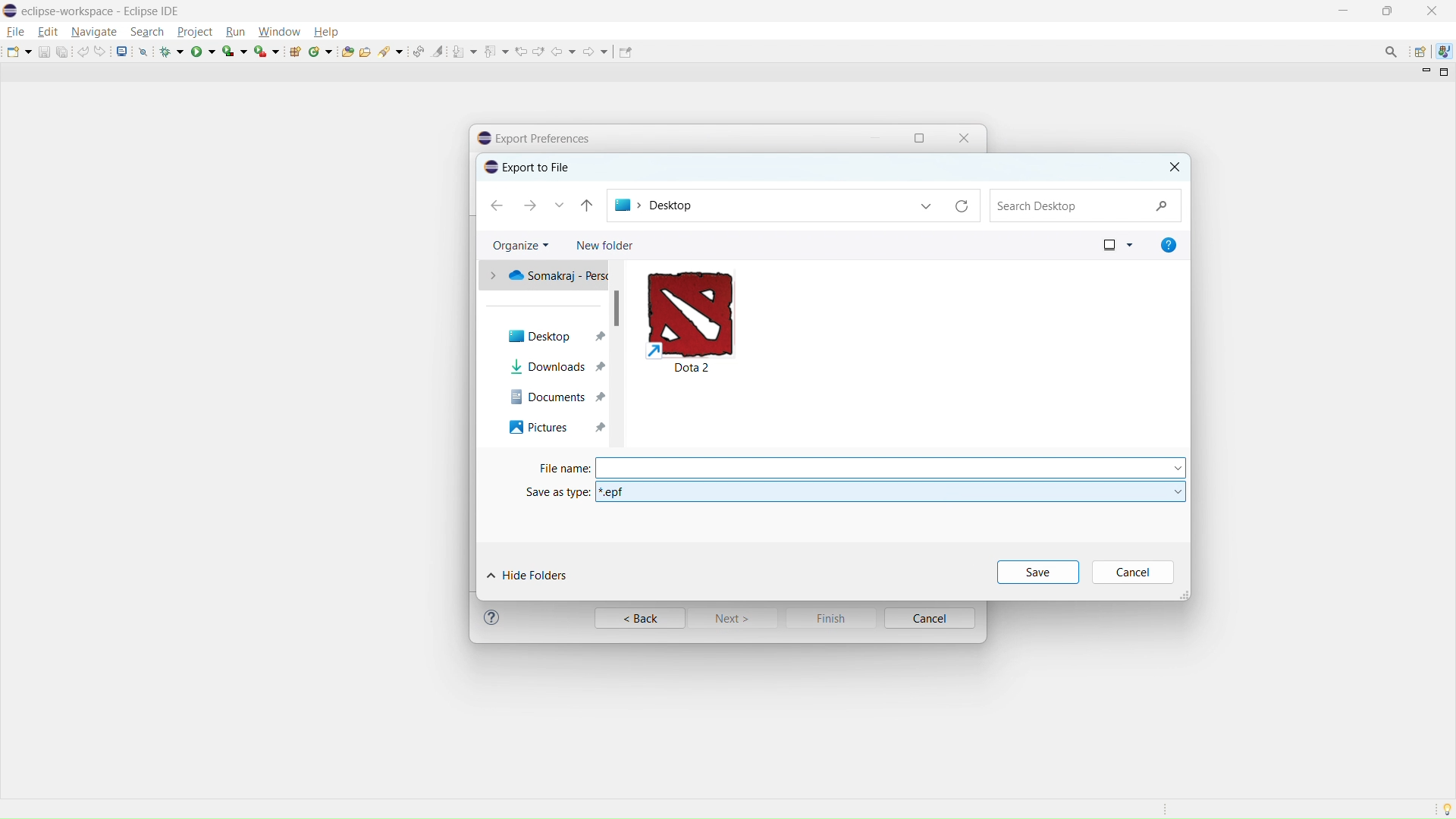 Image resolution: width=1456 pixels, height=819 pixels. I want to click on save, so click(43, 52).